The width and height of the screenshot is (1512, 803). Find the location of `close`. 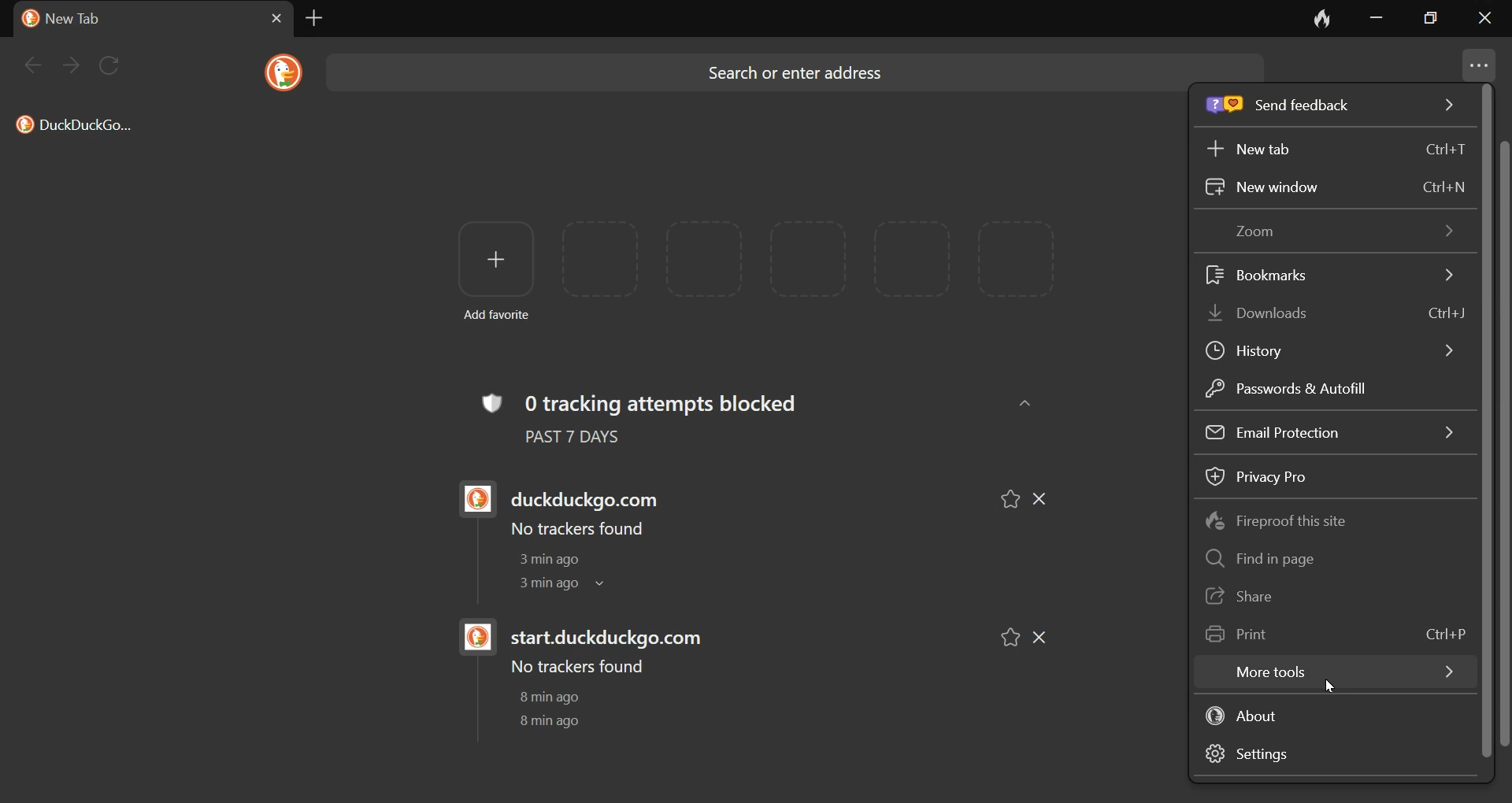

close is located at coordinates (1488, 20).